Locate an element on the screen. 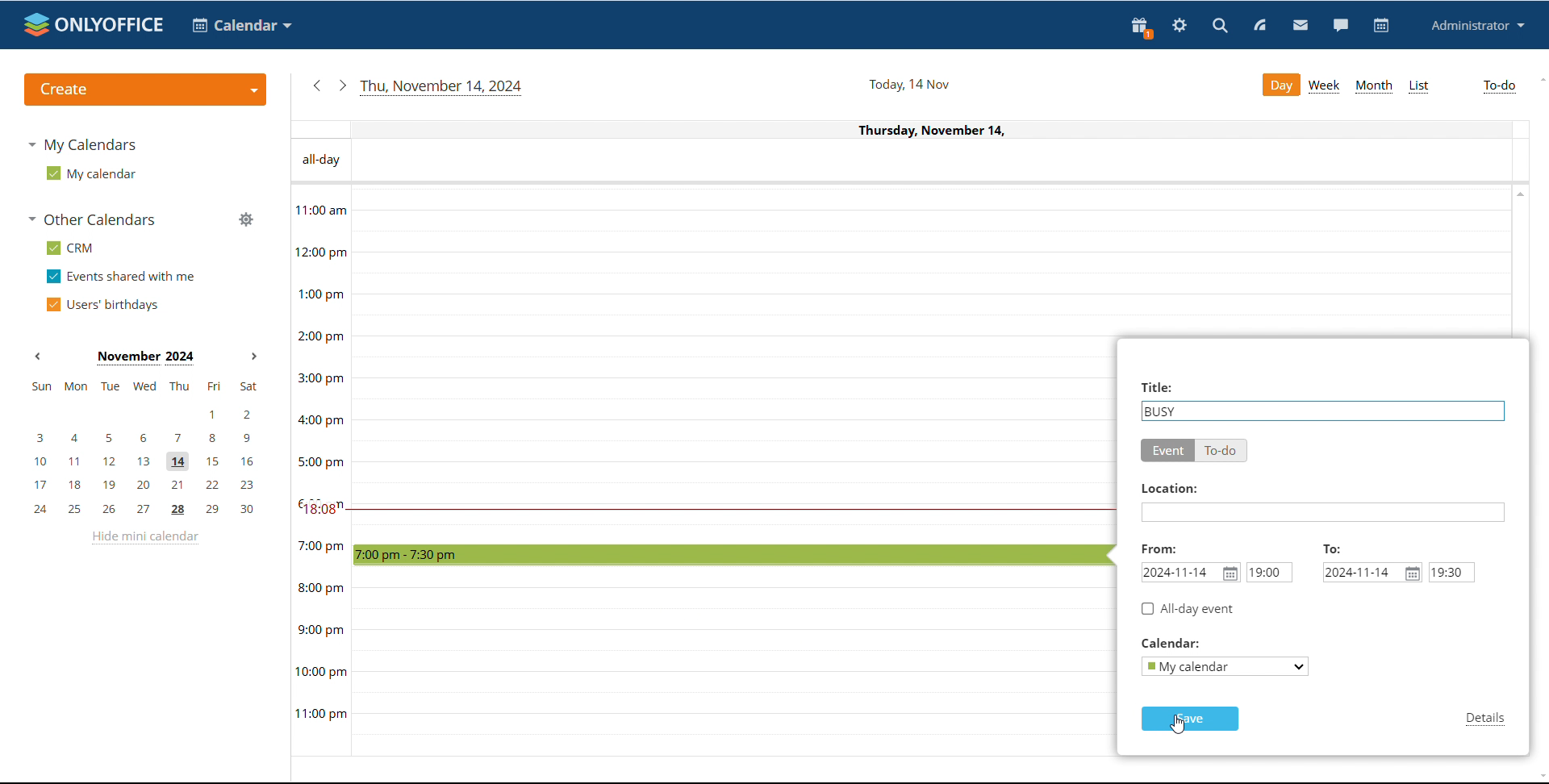  hide mini calendar is located at coordinates (144, 538).